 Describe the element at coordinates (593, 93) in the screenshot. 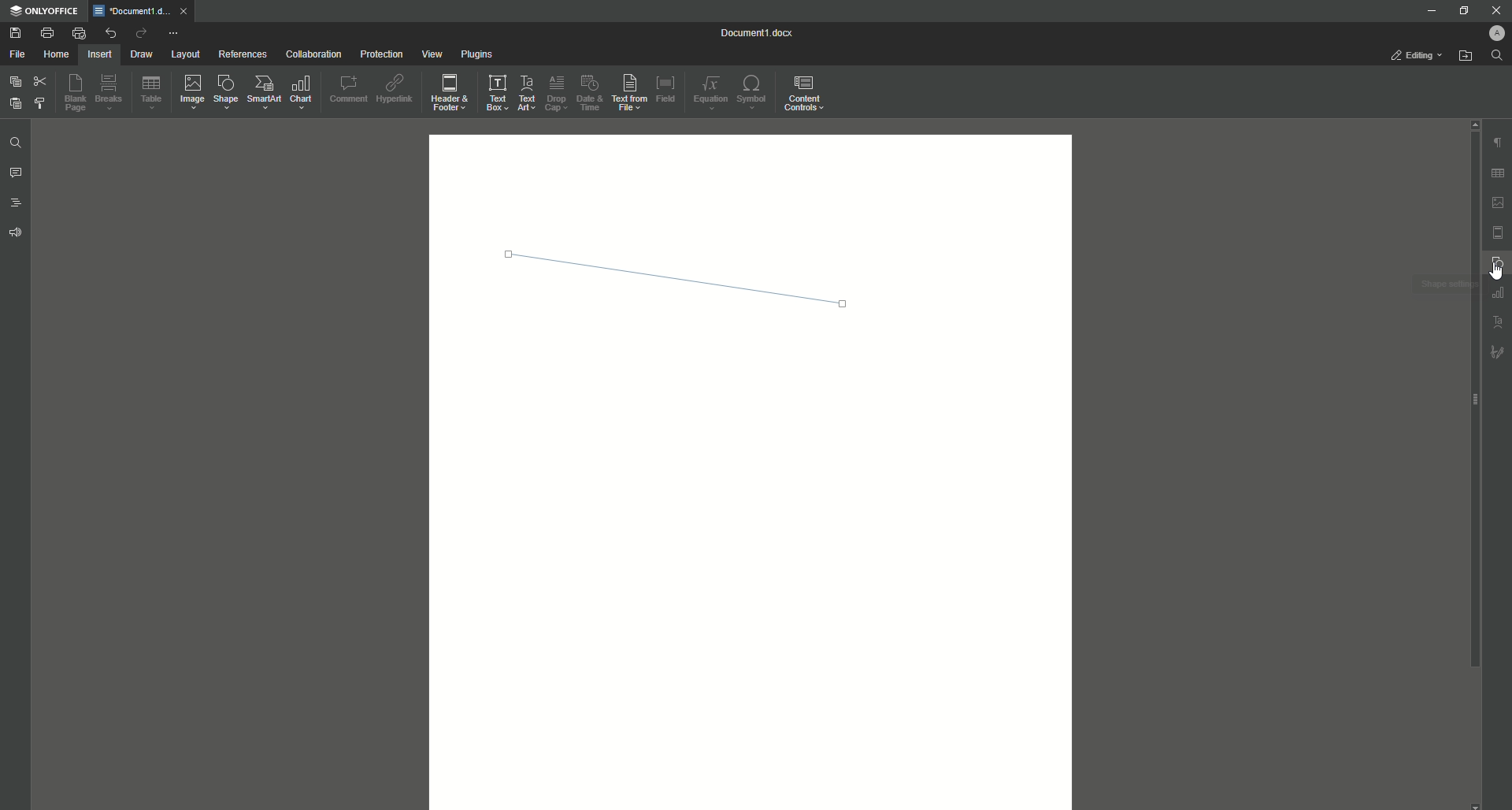

I see `Date and Time` at that location.